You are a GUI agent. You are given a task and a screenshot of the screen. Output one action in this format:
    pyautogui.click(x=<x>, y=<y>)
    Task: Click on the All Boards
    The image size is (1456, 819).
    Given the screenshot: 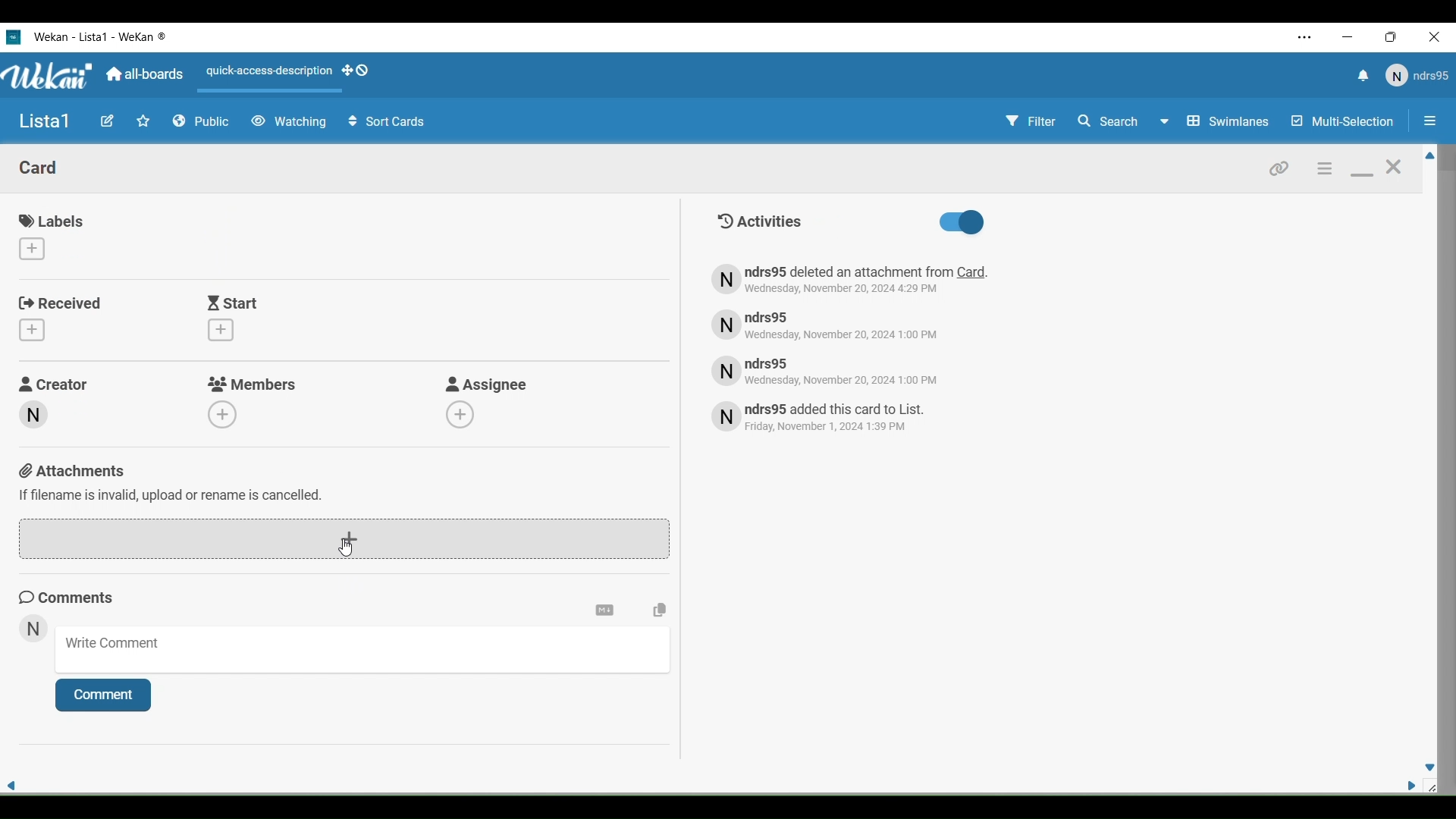 What is the action you would take?
    pyautogui.click(x=146, y=74)
    